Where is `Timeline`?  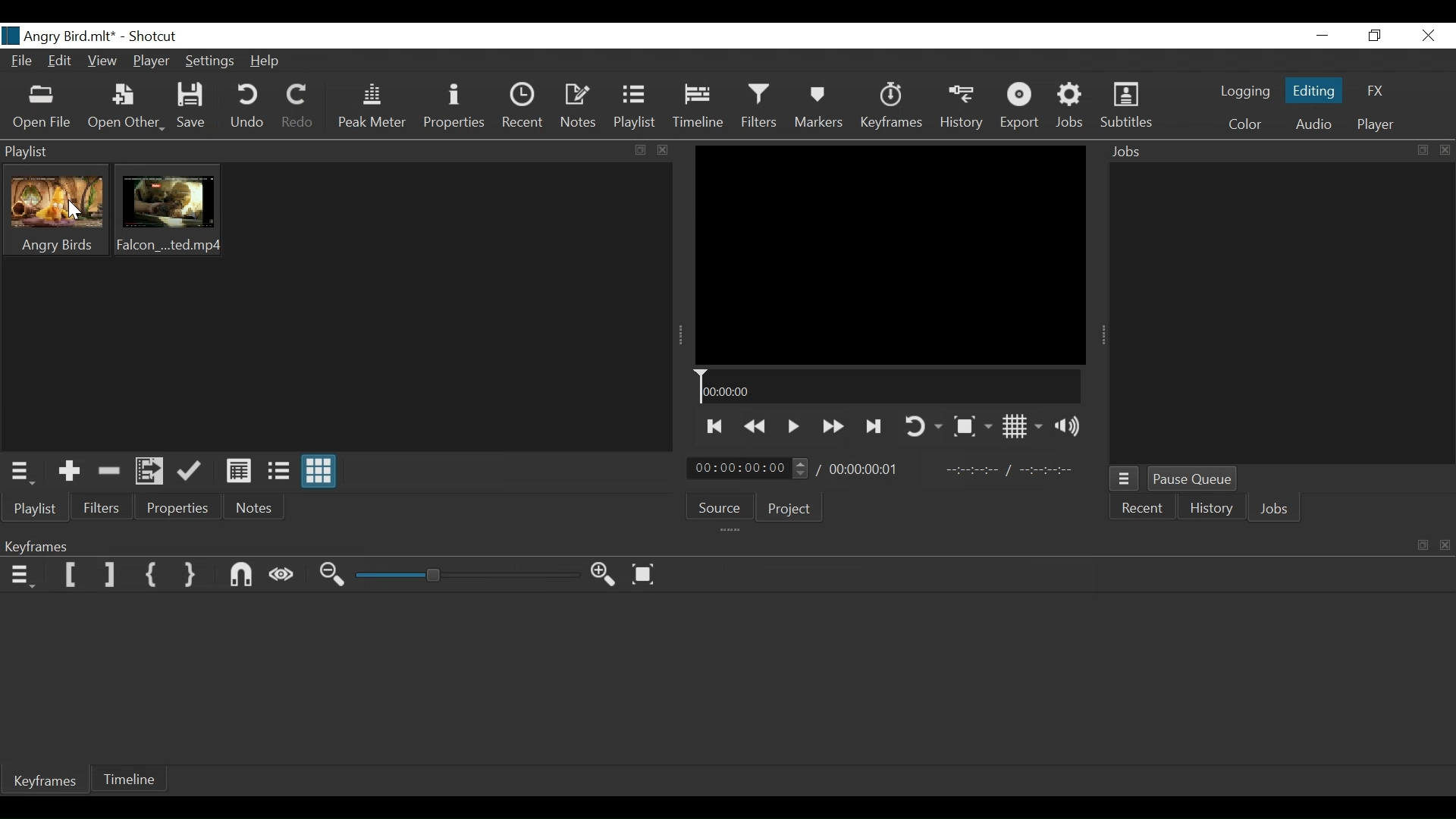 Timeline is located at coordinates (697, 109).